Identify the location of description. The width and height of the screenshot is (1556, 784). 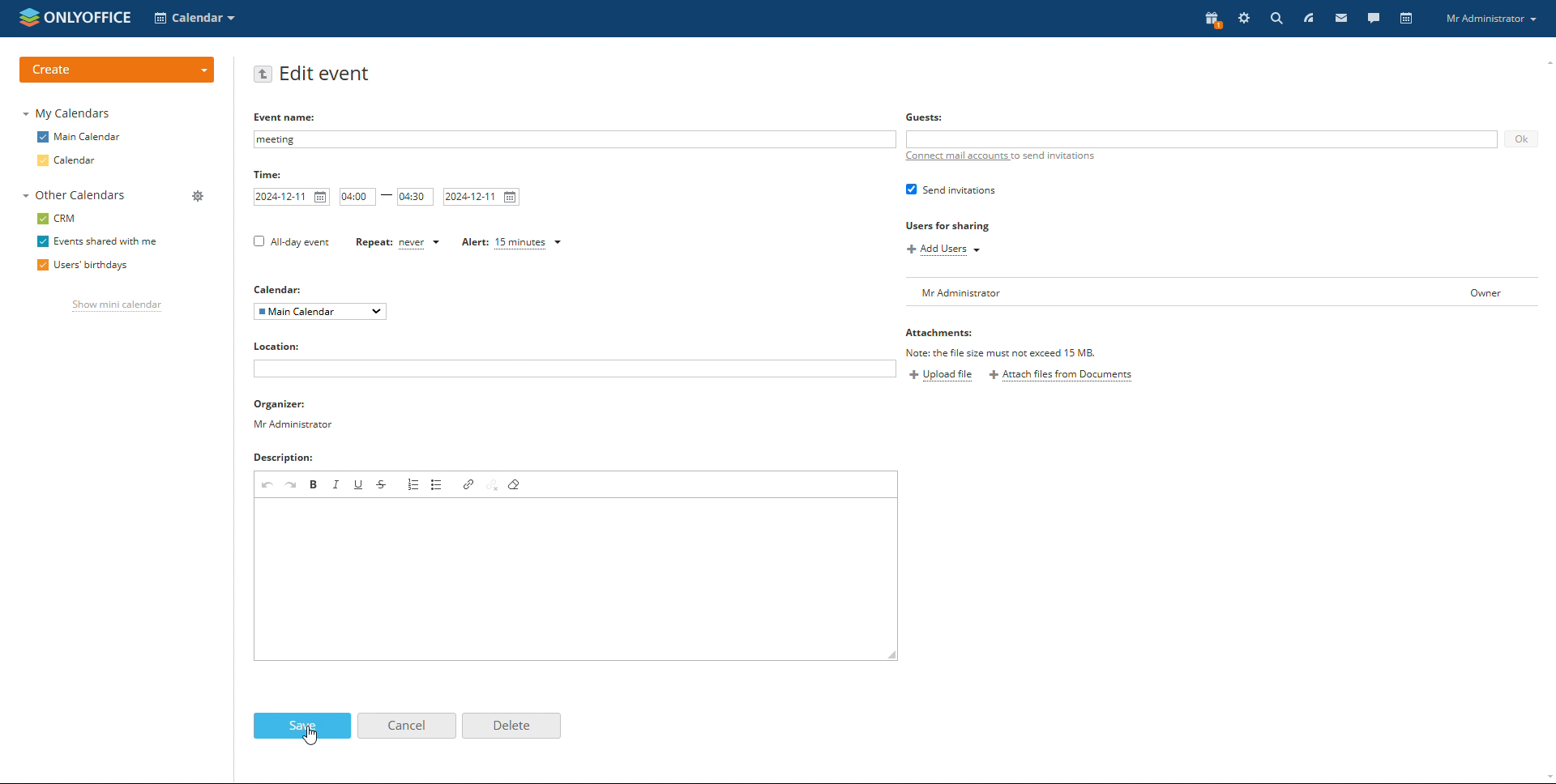
(289, 459).